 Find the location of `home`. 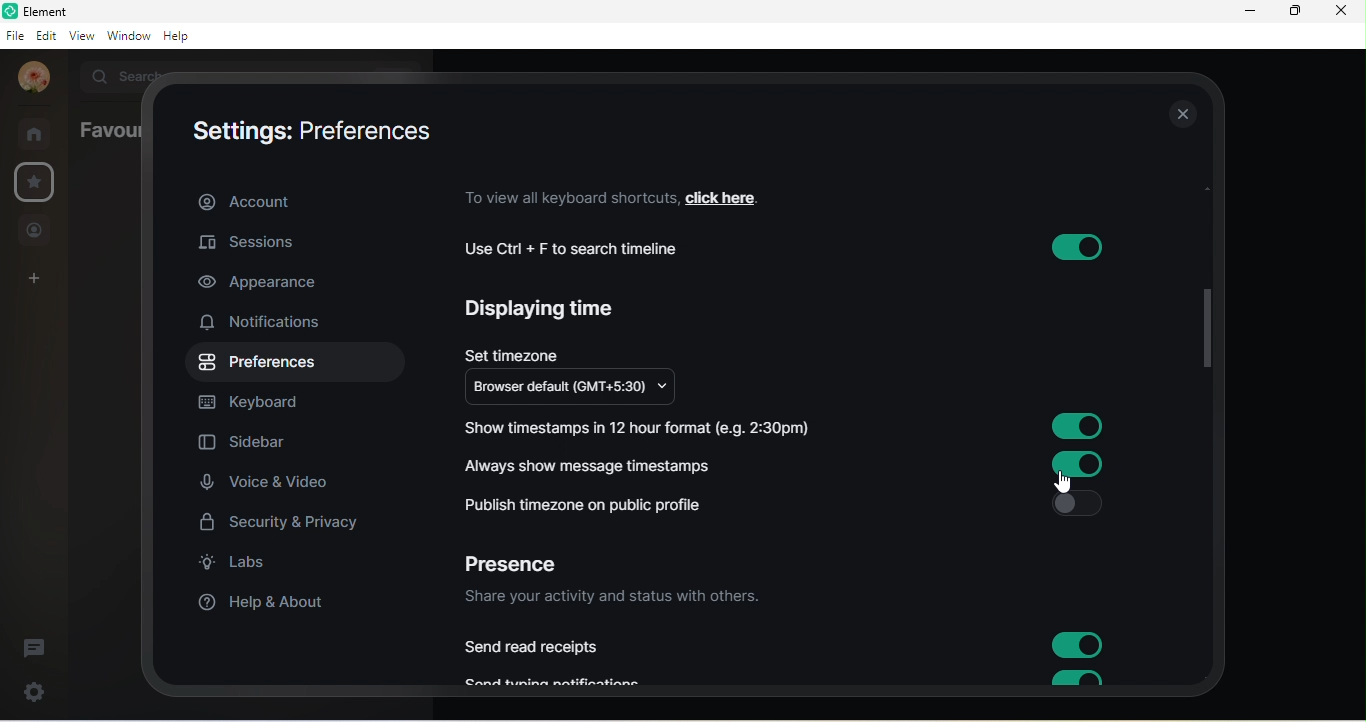

home is located at coordinates (36, 133).